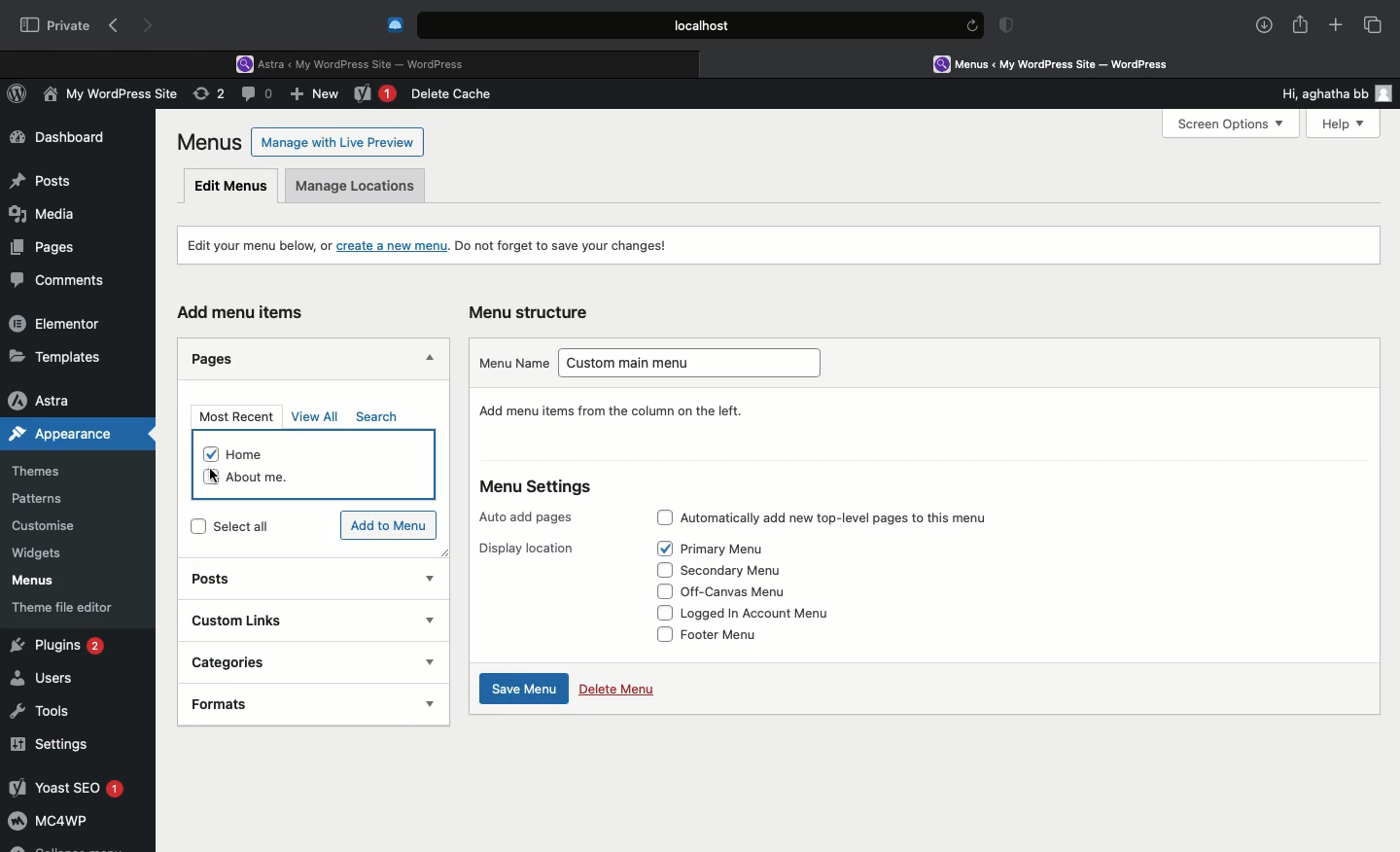 Image resolution: width=1400 pixels, height=852 pixels. I want to click on Select all, so click(261, 527).